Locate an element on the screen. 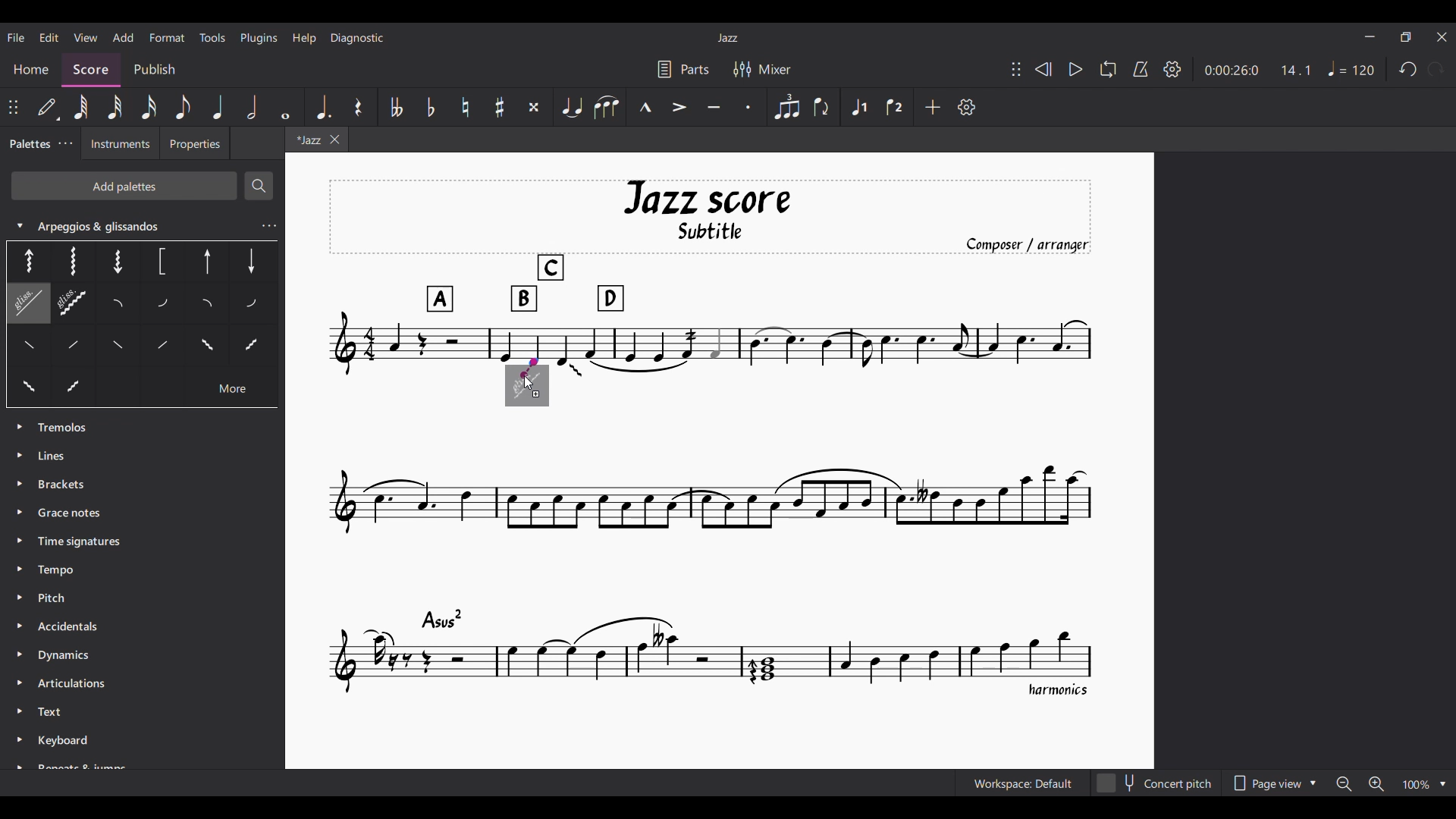  Tenuto is located at coordinates (714, 107).